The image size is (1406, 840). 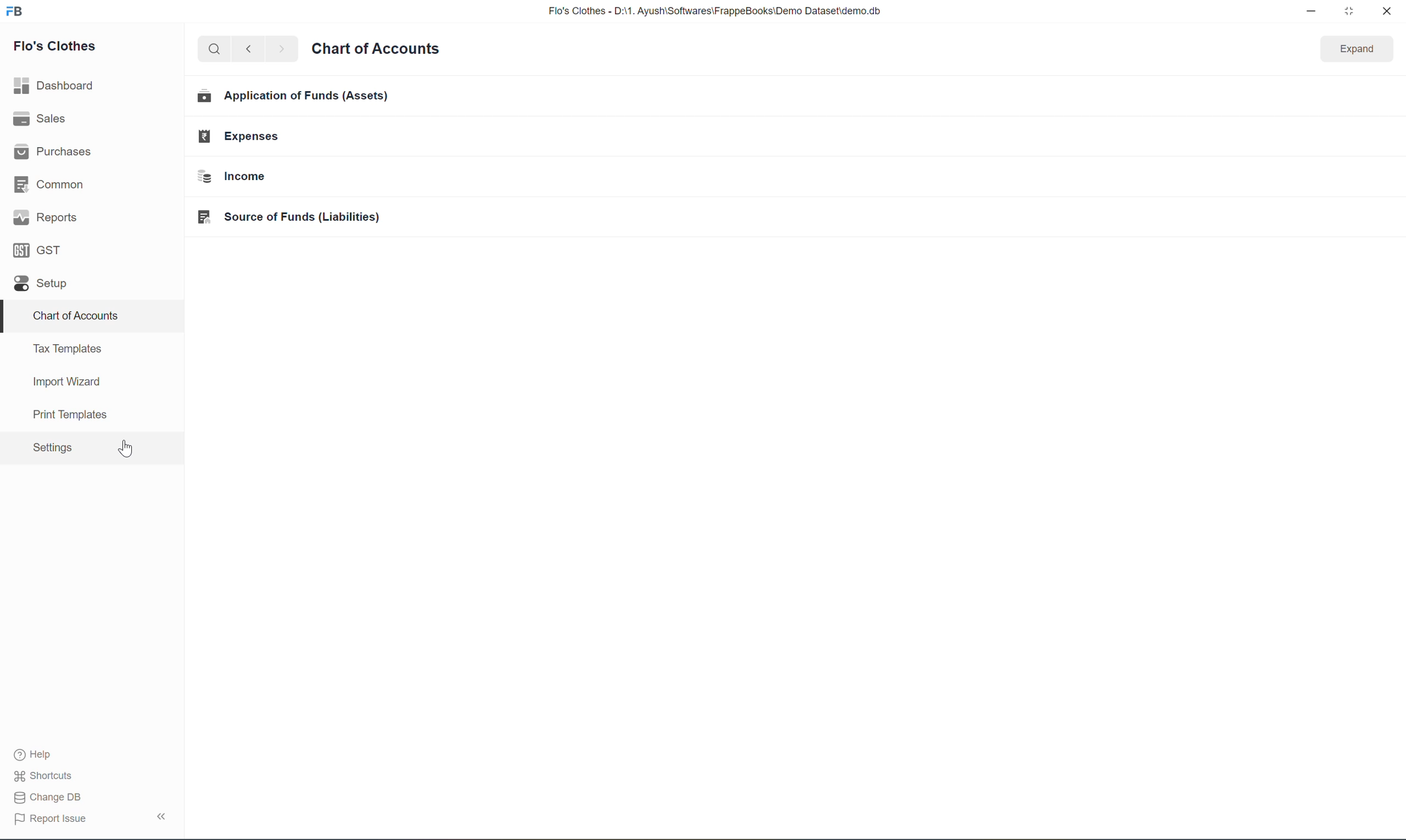 What do you see at coordinates (289, 218) in the screenshot?
I see `Source of Funds (Liabilities)` at bounding box center [289, 218].